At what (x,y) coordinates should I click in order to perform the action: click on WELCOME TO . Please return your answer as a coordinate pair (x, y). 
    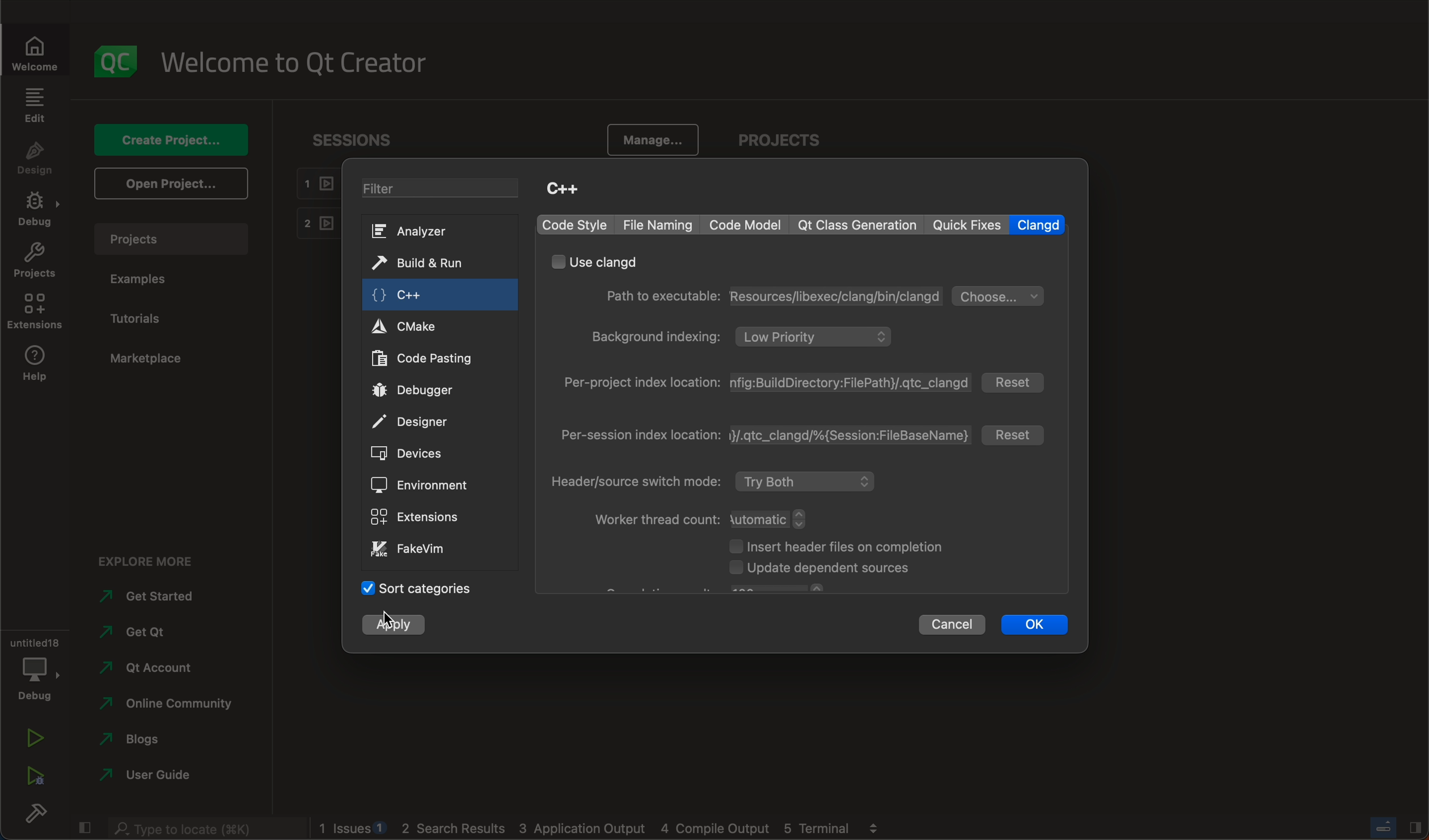
    Looking at the image, I should click on (298, 63).